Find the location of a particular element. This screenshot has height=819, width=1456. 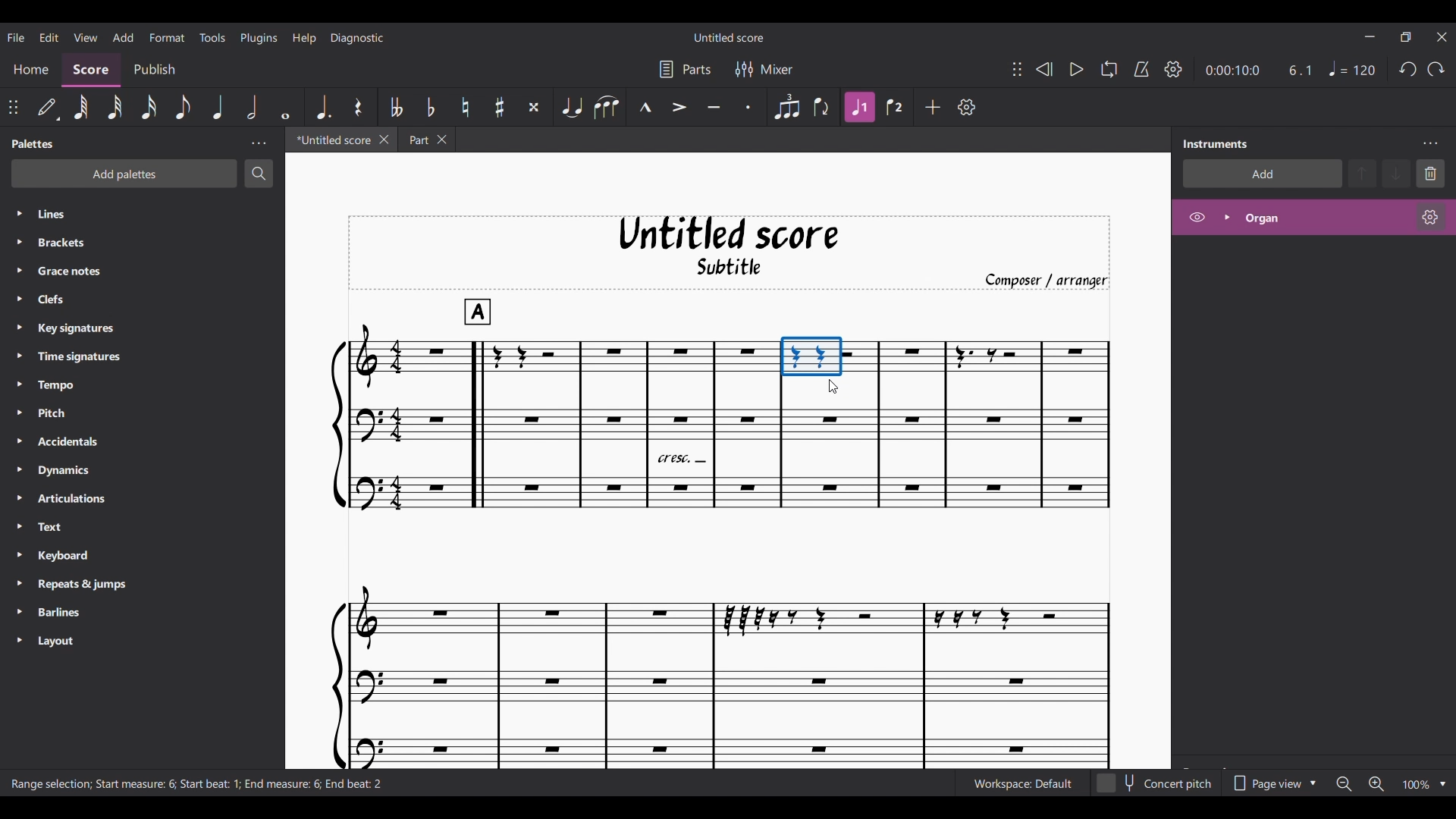

Cursor position unchanged is located at coordinates (833, 386).